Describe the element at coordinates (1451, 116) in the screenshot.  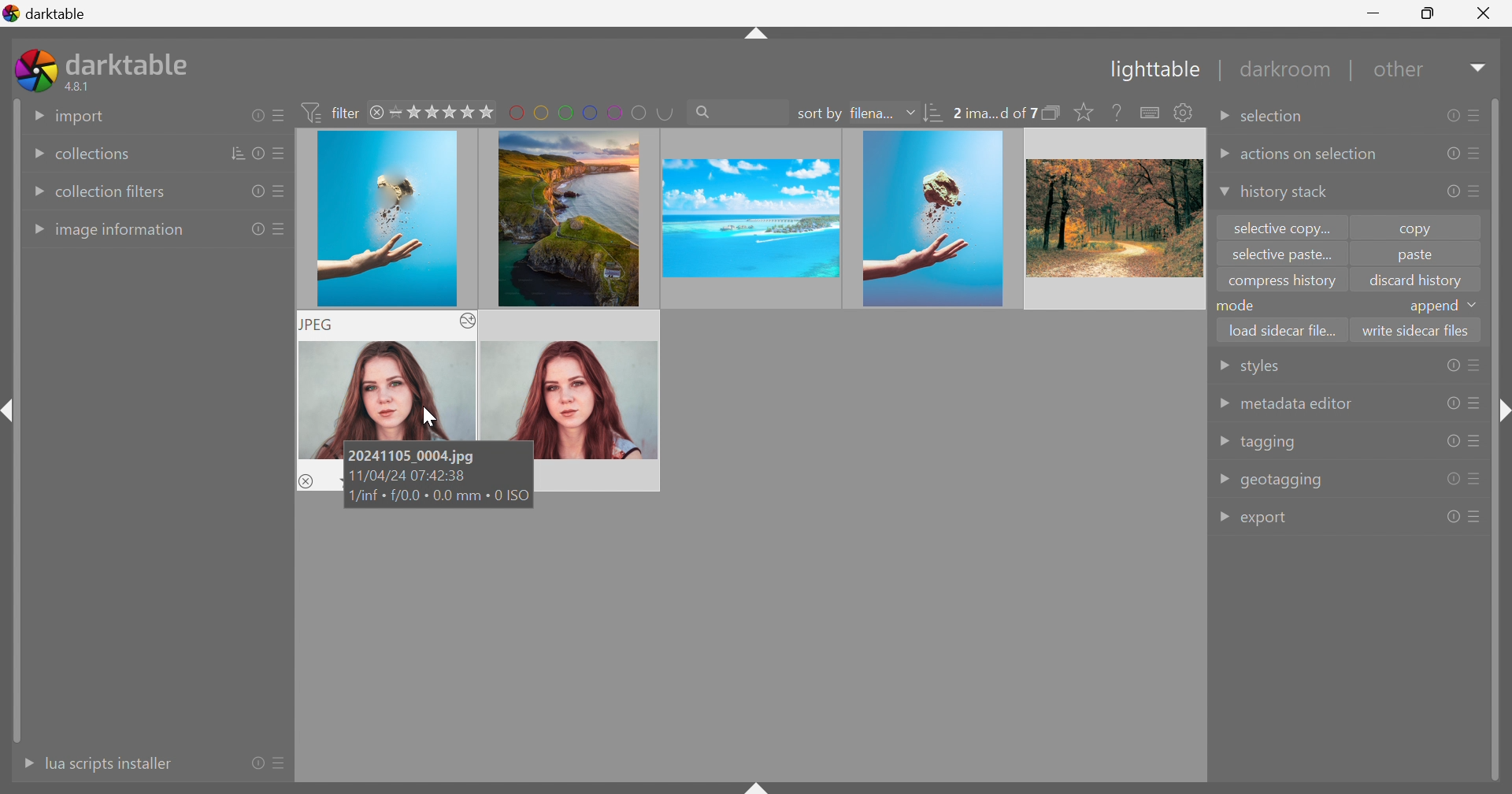
I see `reset` at that location.